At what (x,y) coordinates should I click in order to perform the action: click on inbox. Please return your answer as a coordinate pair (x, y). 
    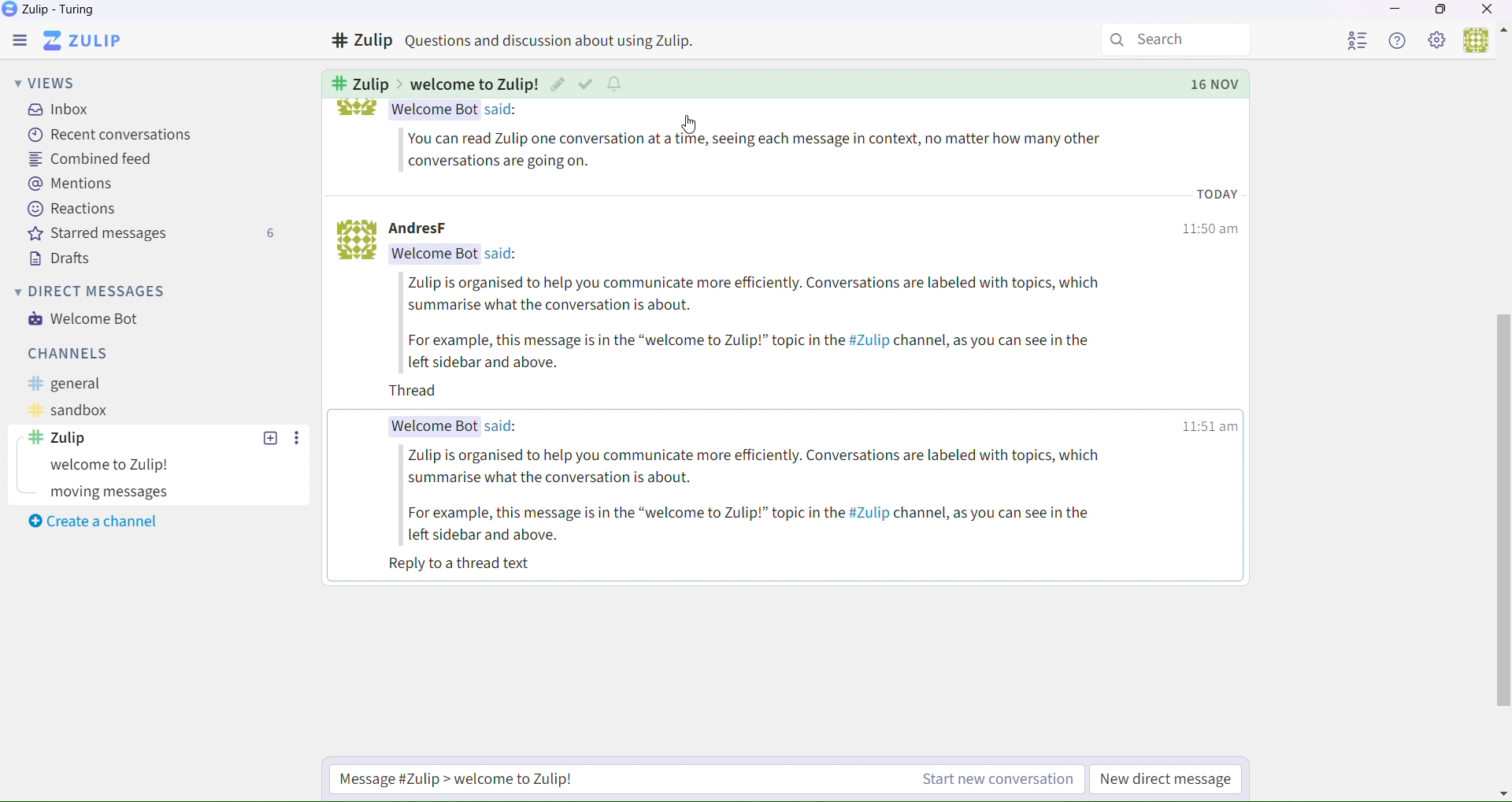
    Looking at the image, I should click on (63, 111).